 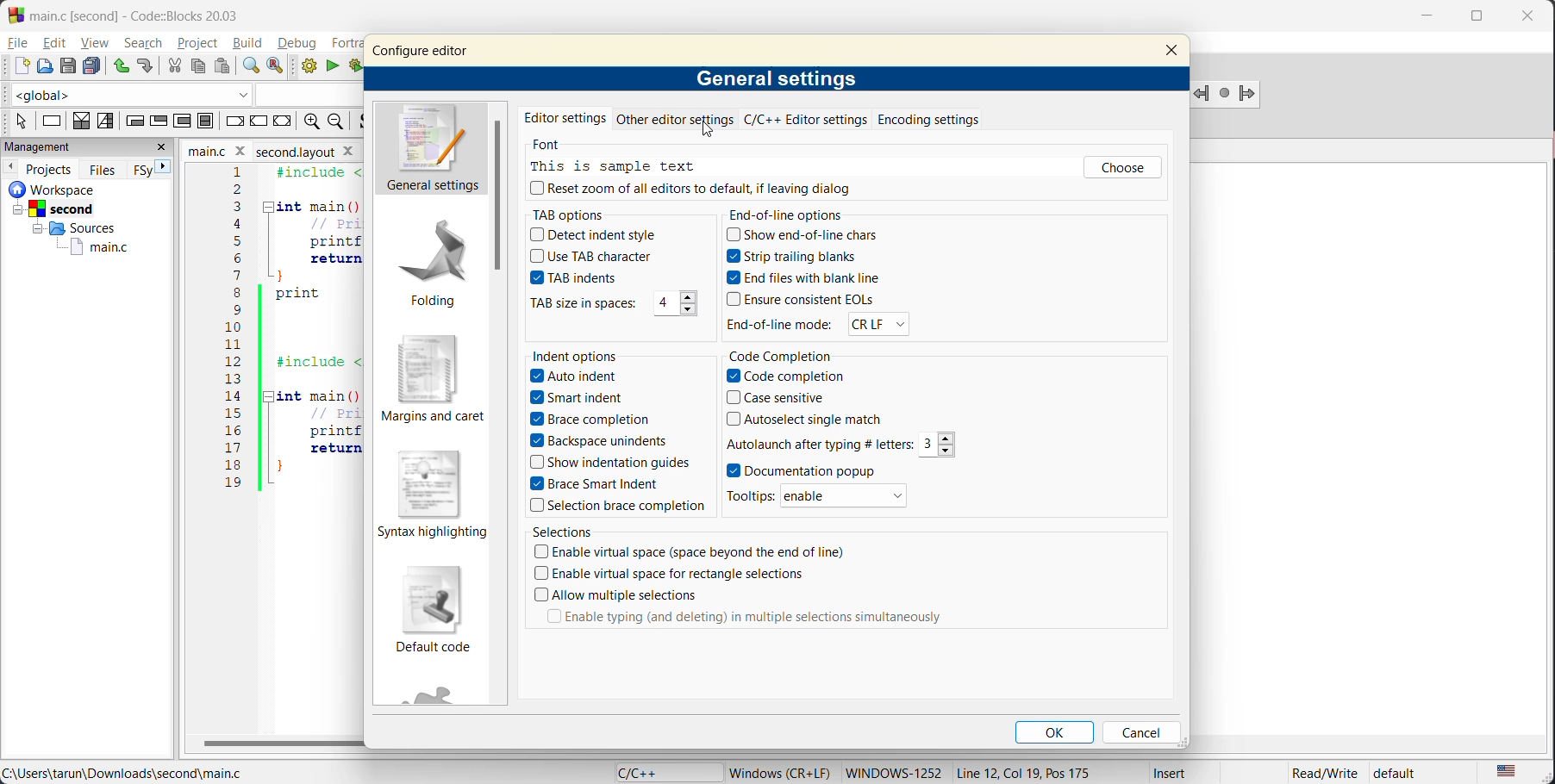 What do you see at coordinates (222, 66) in the screenshot?
I see `paste` at bounding box center [222, 66].